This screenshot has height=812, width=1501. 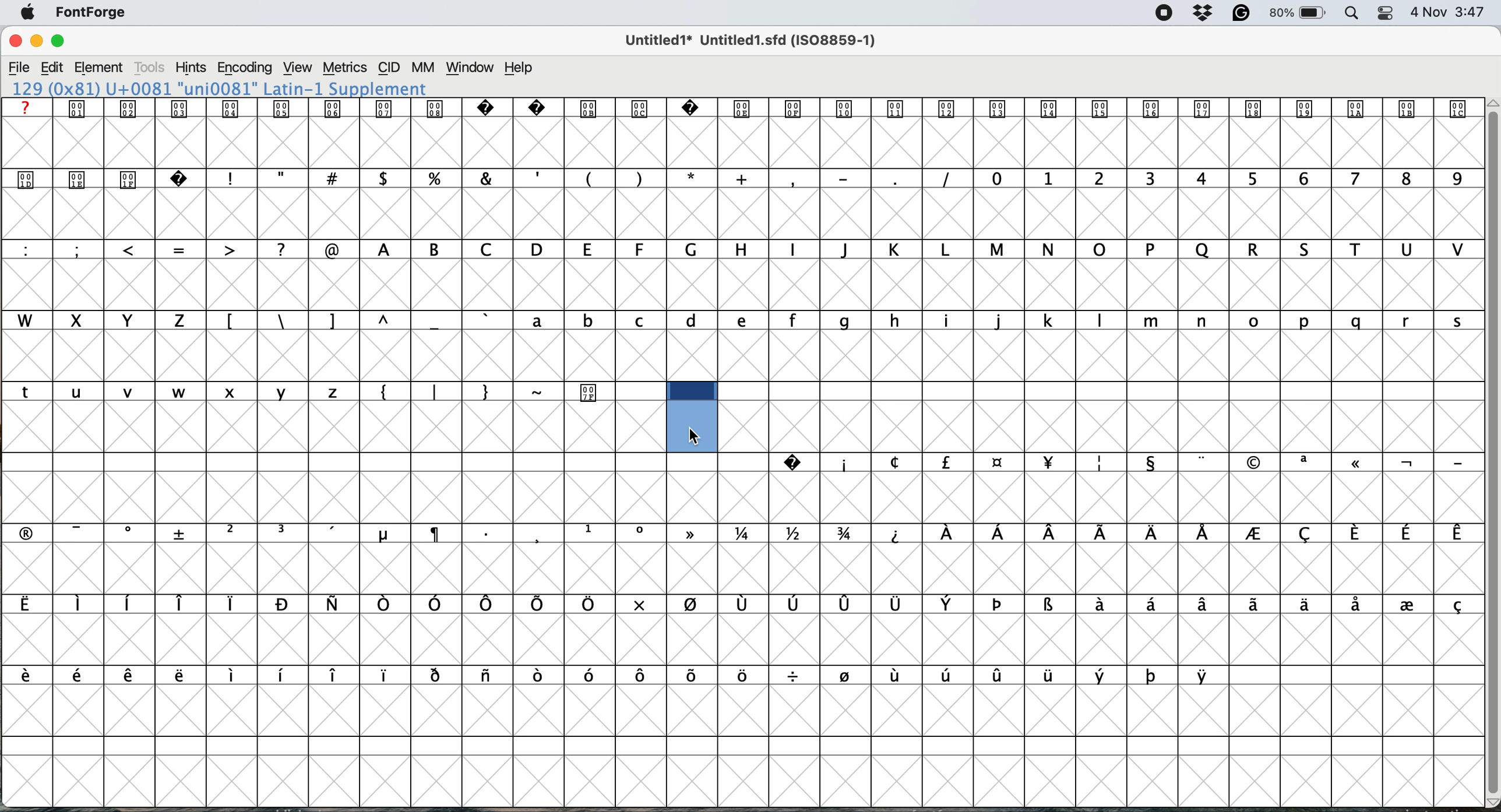 I want to click on Hints, so click(x=191, y=68).